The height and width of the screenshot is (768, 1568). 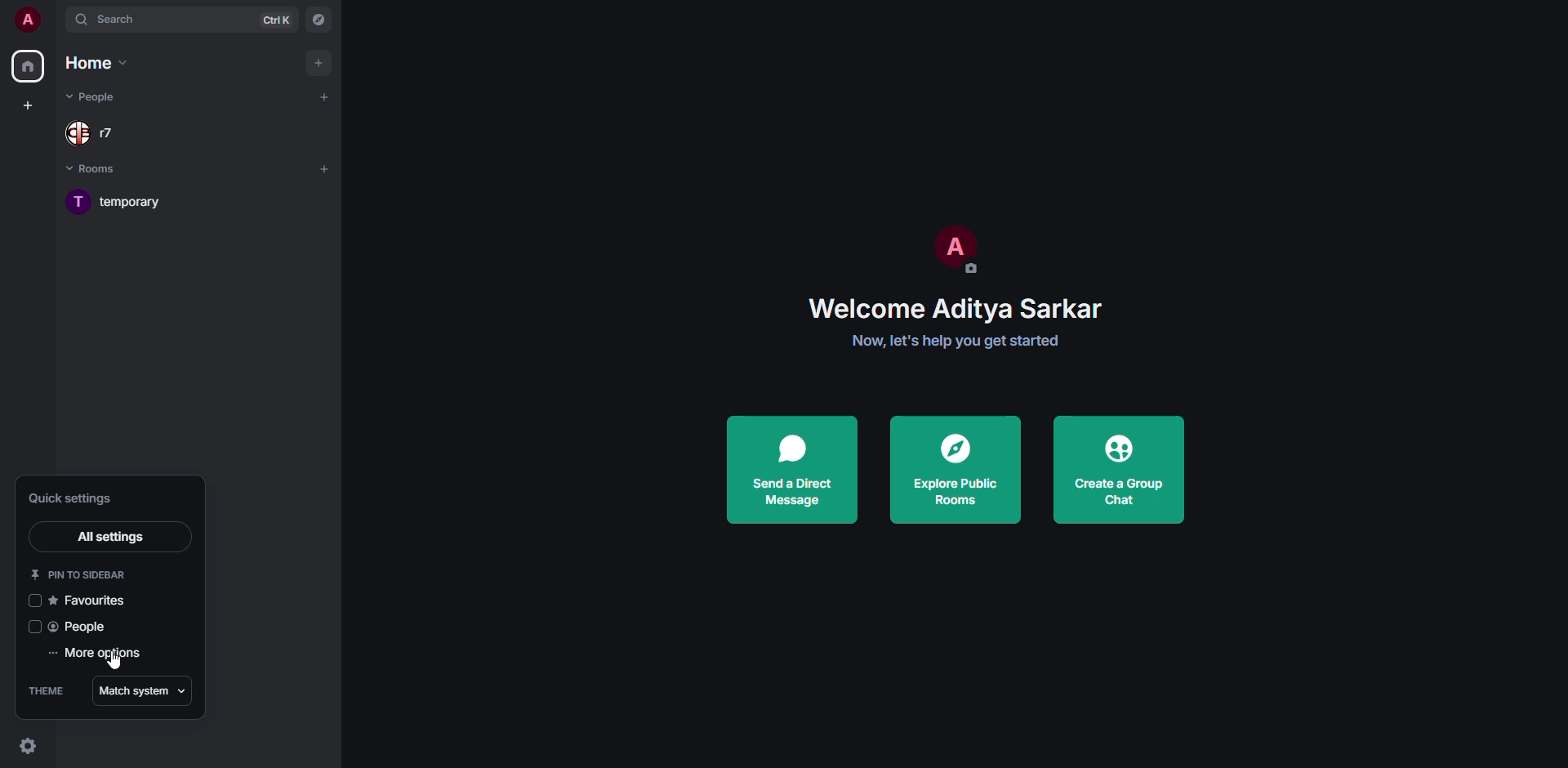 I want to click on create space, so click(x=31, y=105).